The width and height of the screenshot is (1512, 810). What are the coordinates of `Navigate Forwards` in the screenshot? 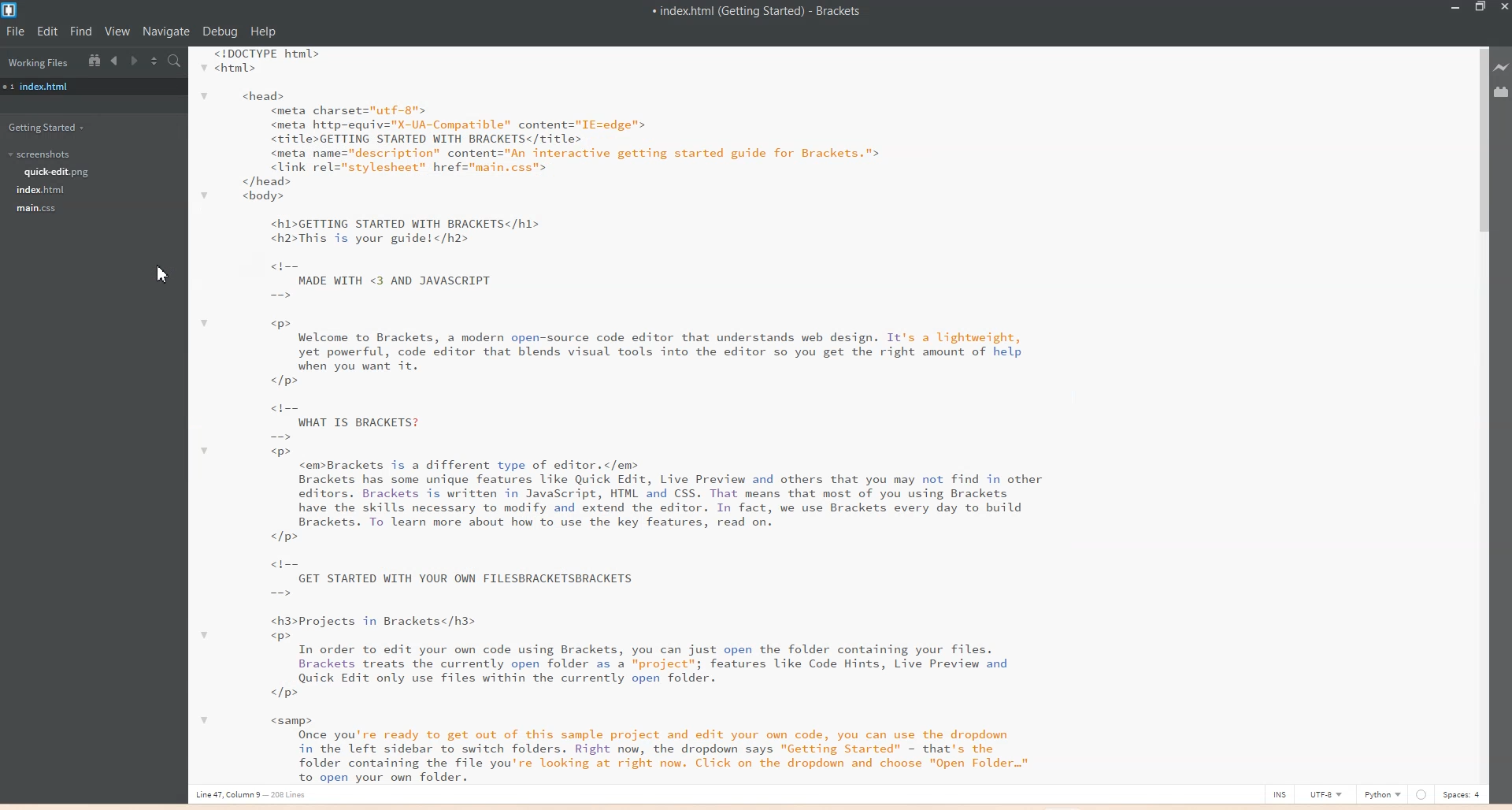 It's located at (135, 61).